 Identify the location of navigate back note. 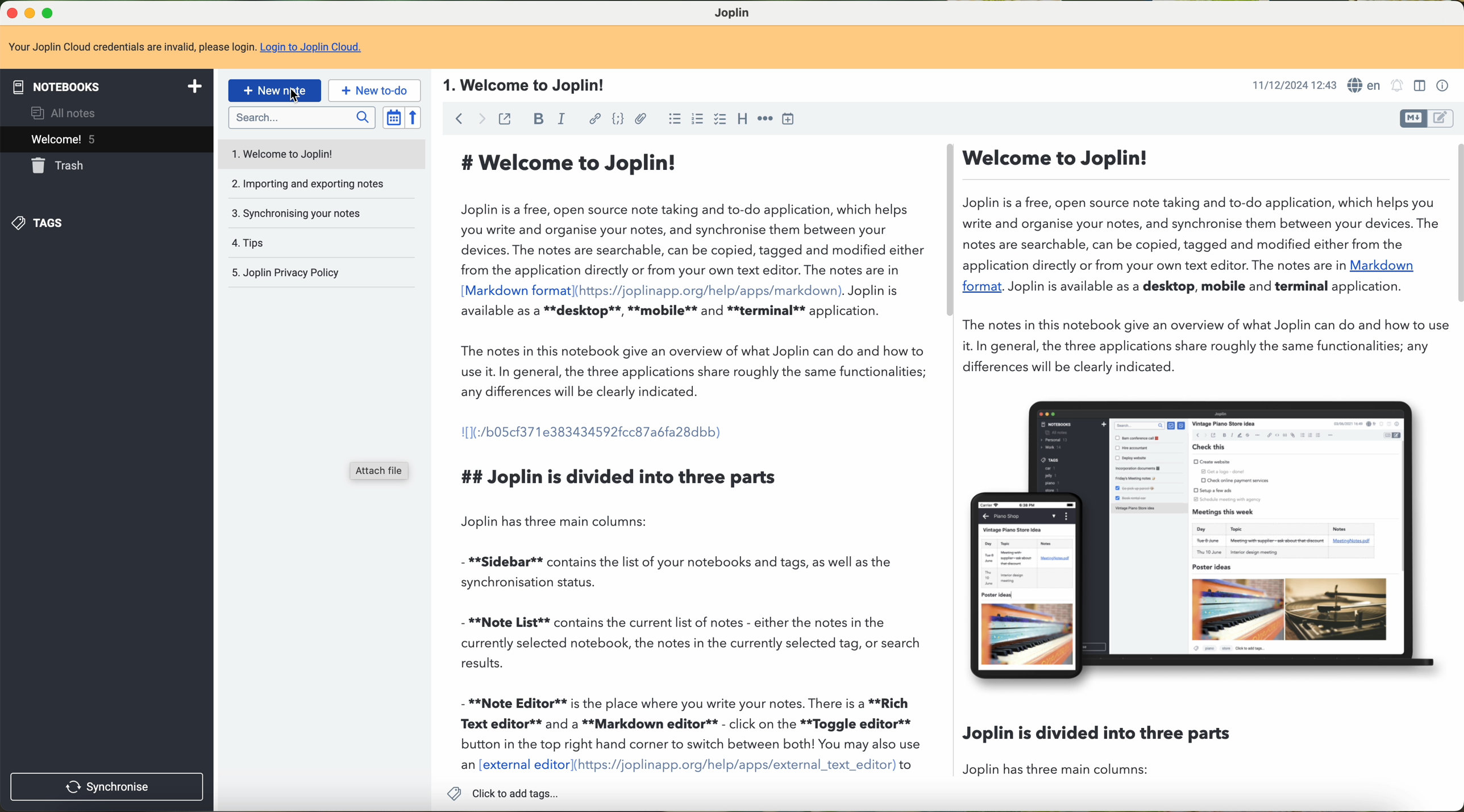
(459, 118).